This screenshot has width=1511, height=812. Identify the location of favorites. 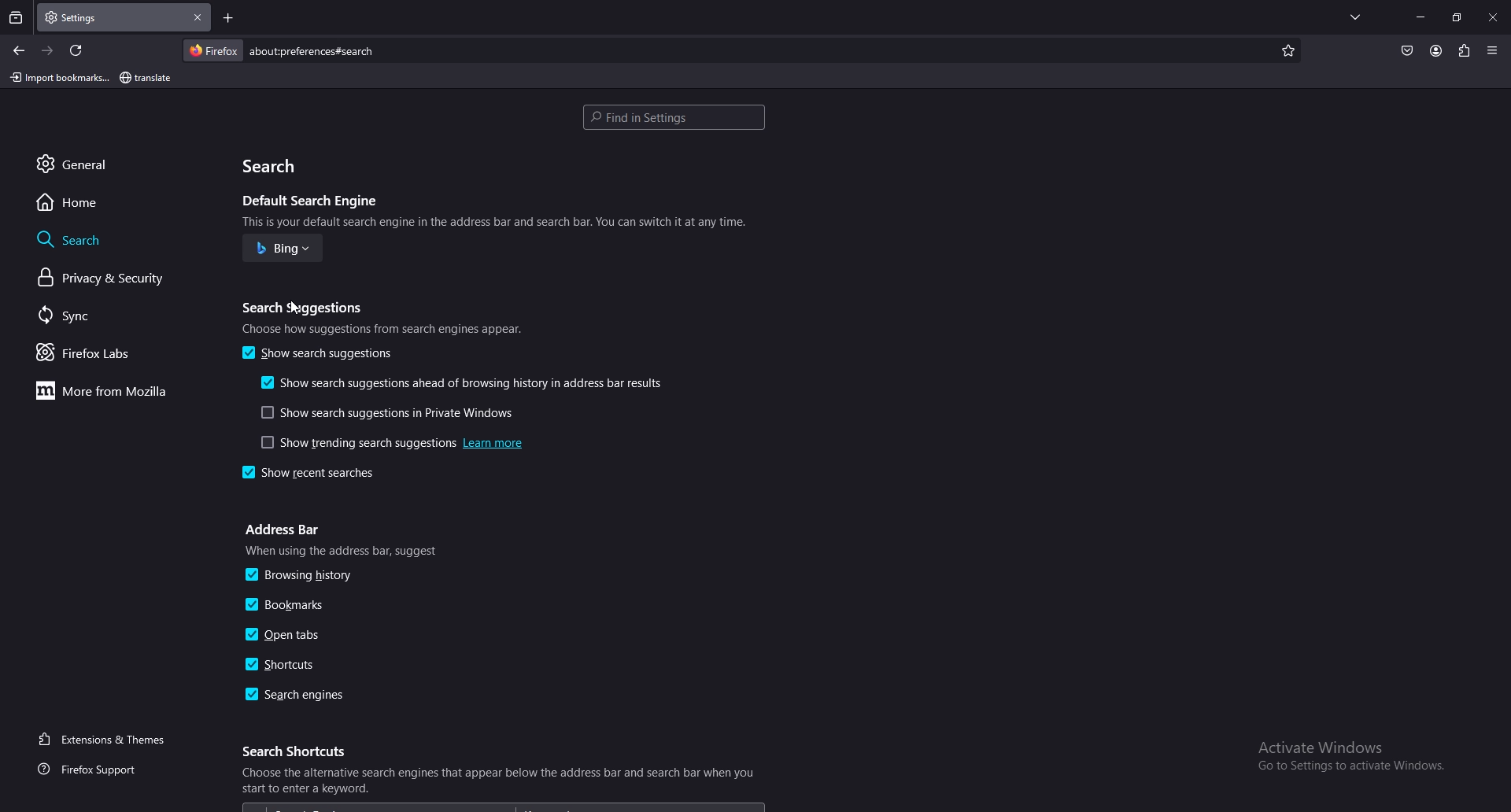
(1285, 50).